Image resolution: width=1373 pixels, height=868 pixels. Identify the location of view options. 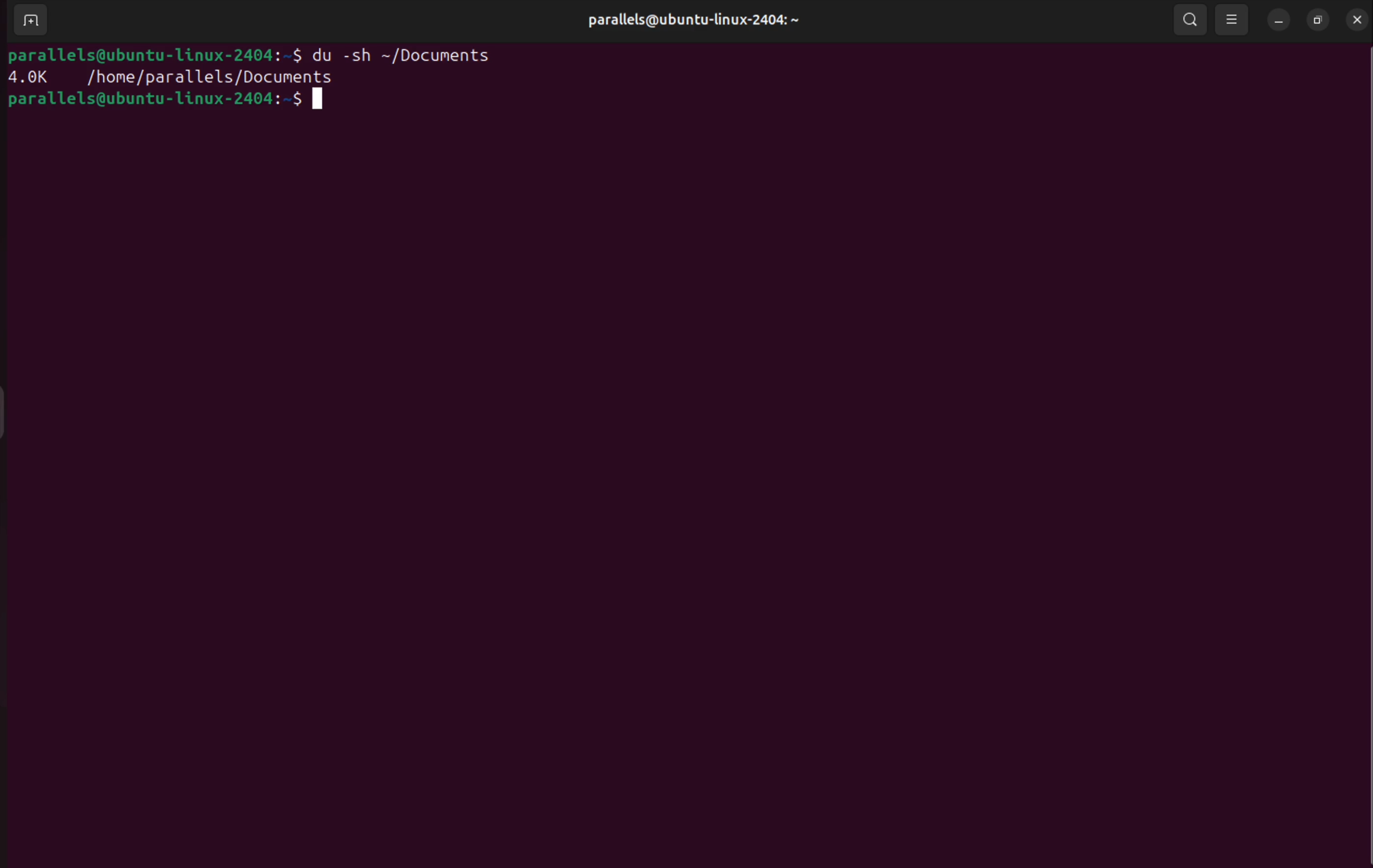
(1233, 20).